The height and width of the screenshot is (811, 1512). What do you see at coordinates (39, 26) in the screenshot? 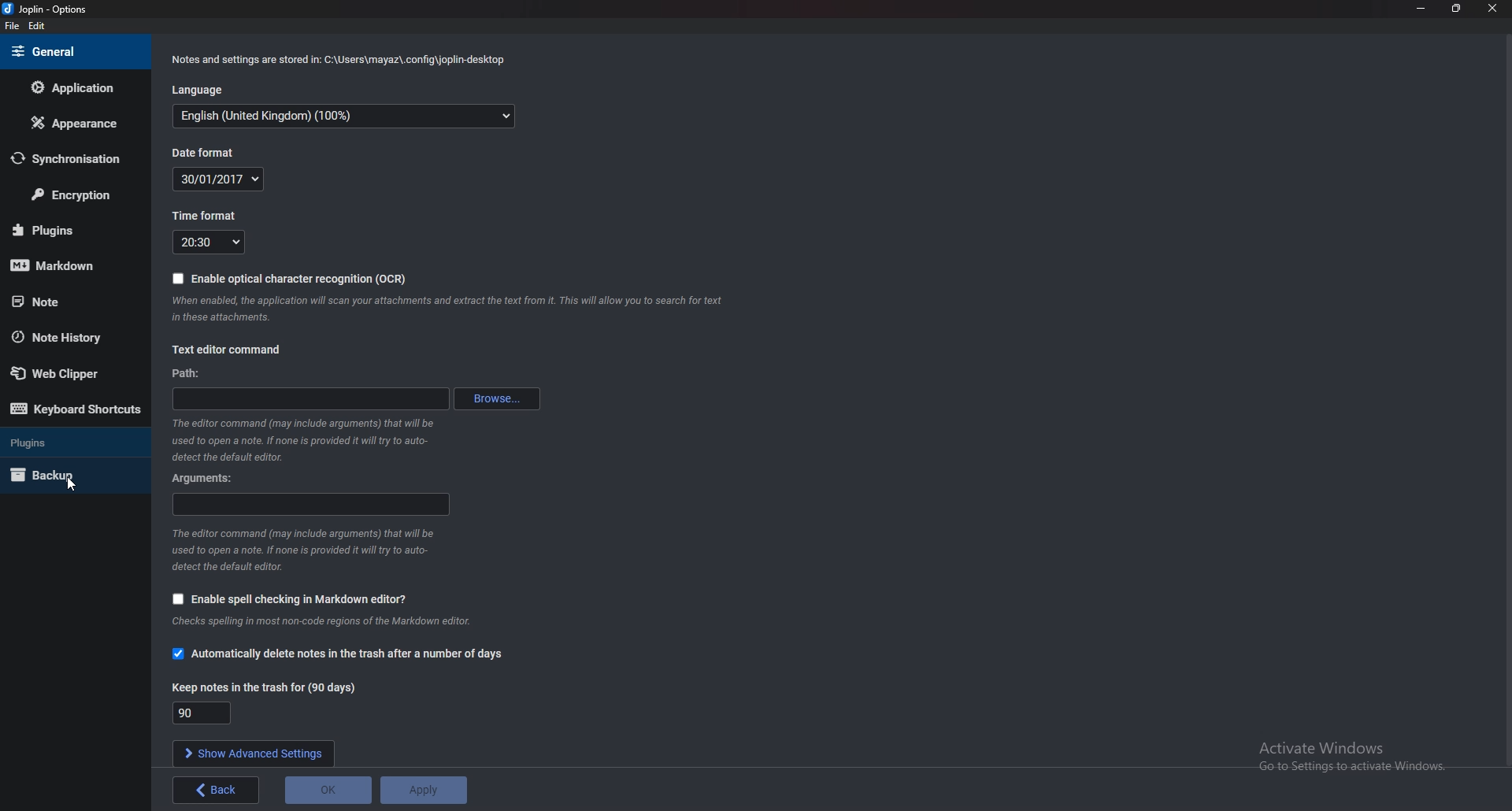
I see `edit` at bounding box center [39, 26].